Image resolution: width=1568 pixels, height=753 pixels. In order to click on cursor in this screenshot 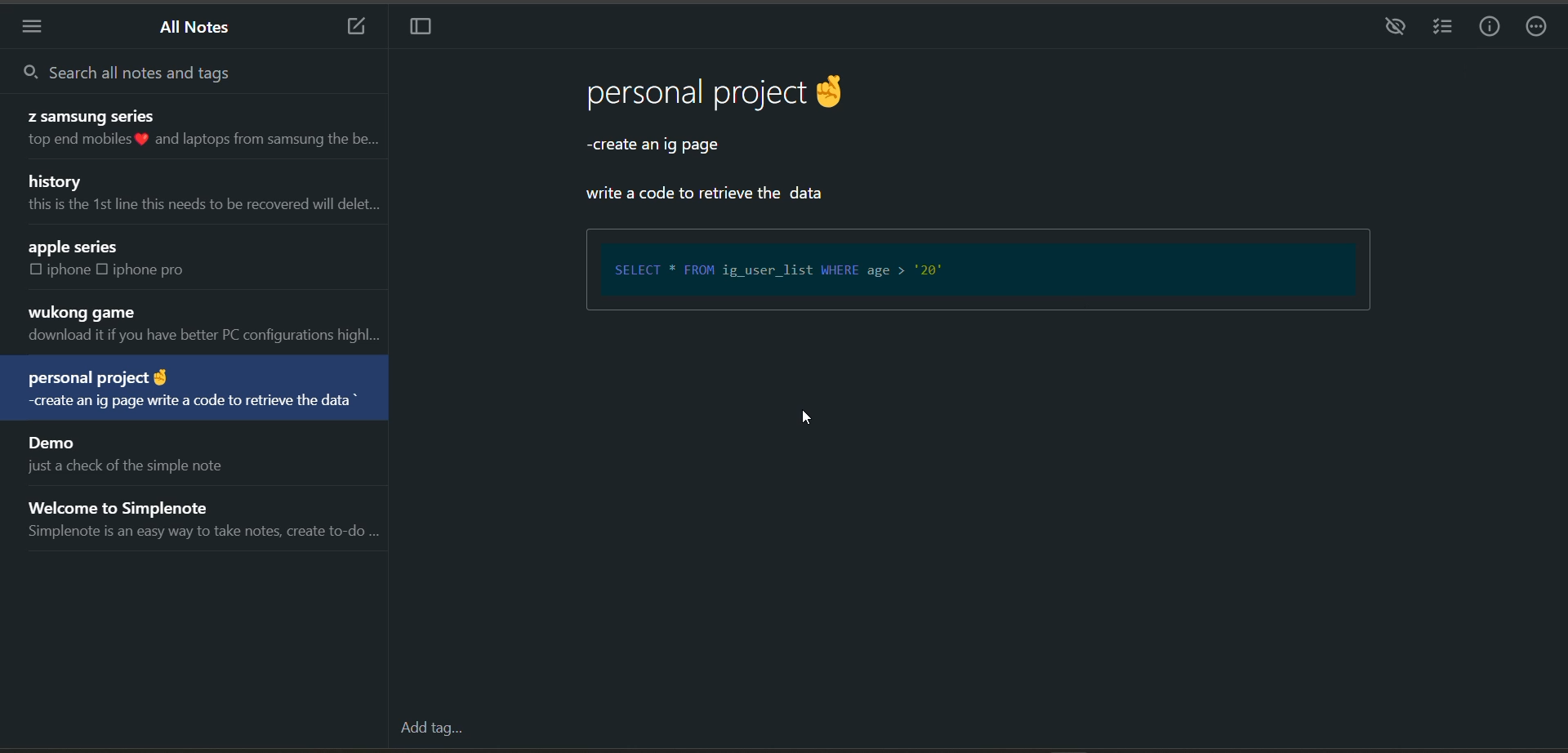, I will do `click(812, 420)`.